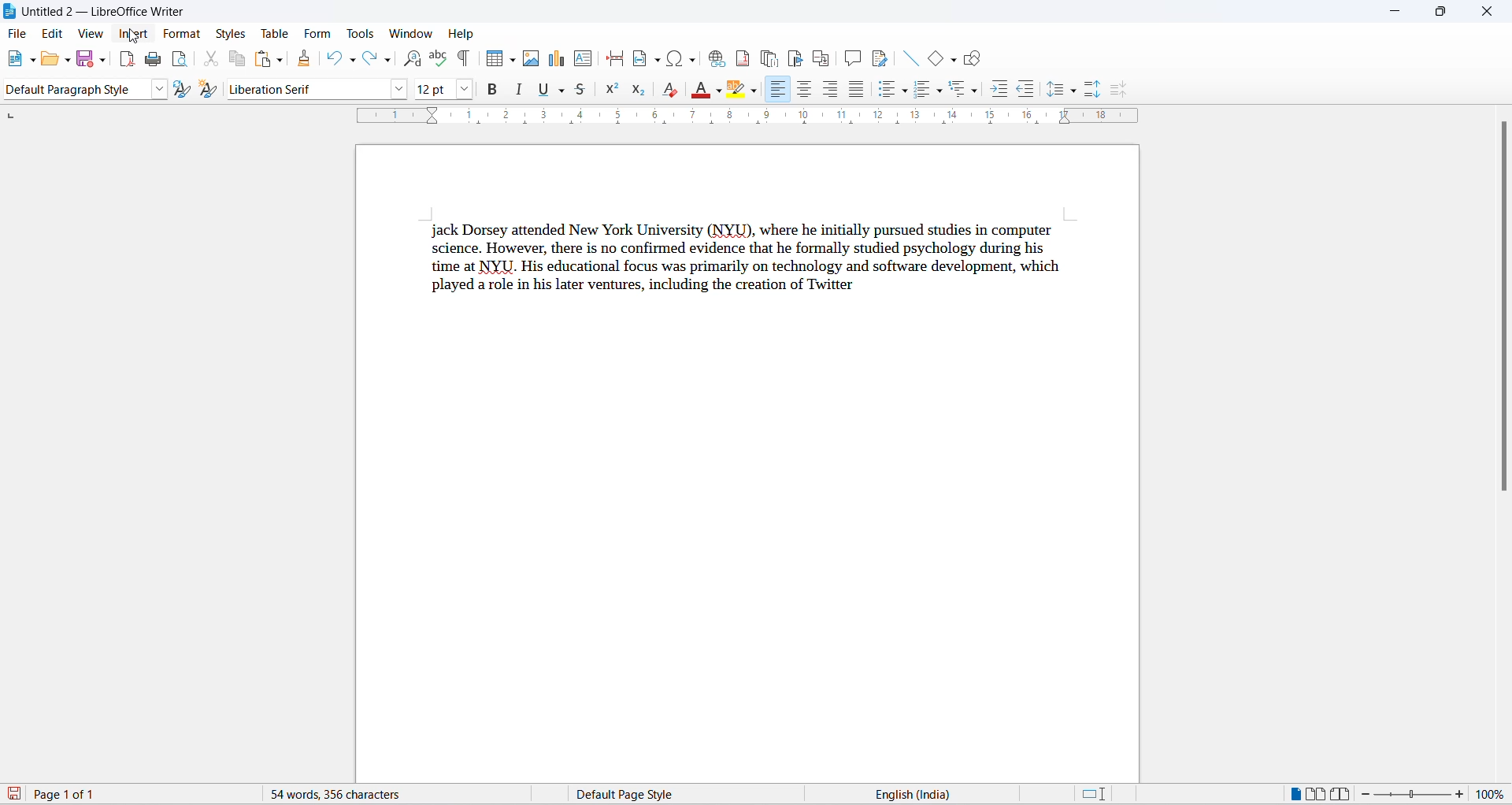 The image size is (1512, 805). I want to click on zoom slider, so click(1414, 795).